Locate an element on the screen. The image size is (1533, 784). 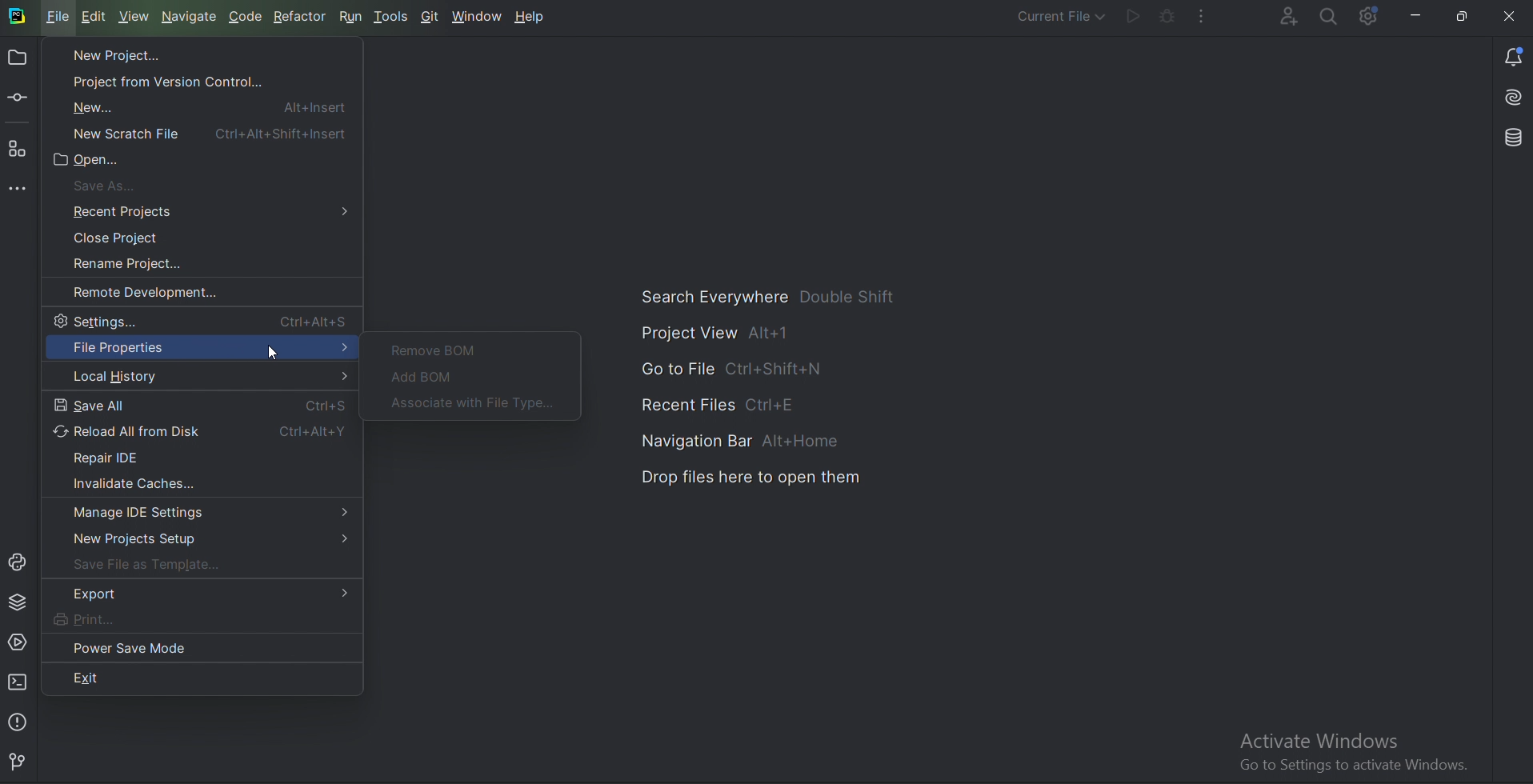
Navigation Bar Alt+Home is located at coordinates (749, 442).